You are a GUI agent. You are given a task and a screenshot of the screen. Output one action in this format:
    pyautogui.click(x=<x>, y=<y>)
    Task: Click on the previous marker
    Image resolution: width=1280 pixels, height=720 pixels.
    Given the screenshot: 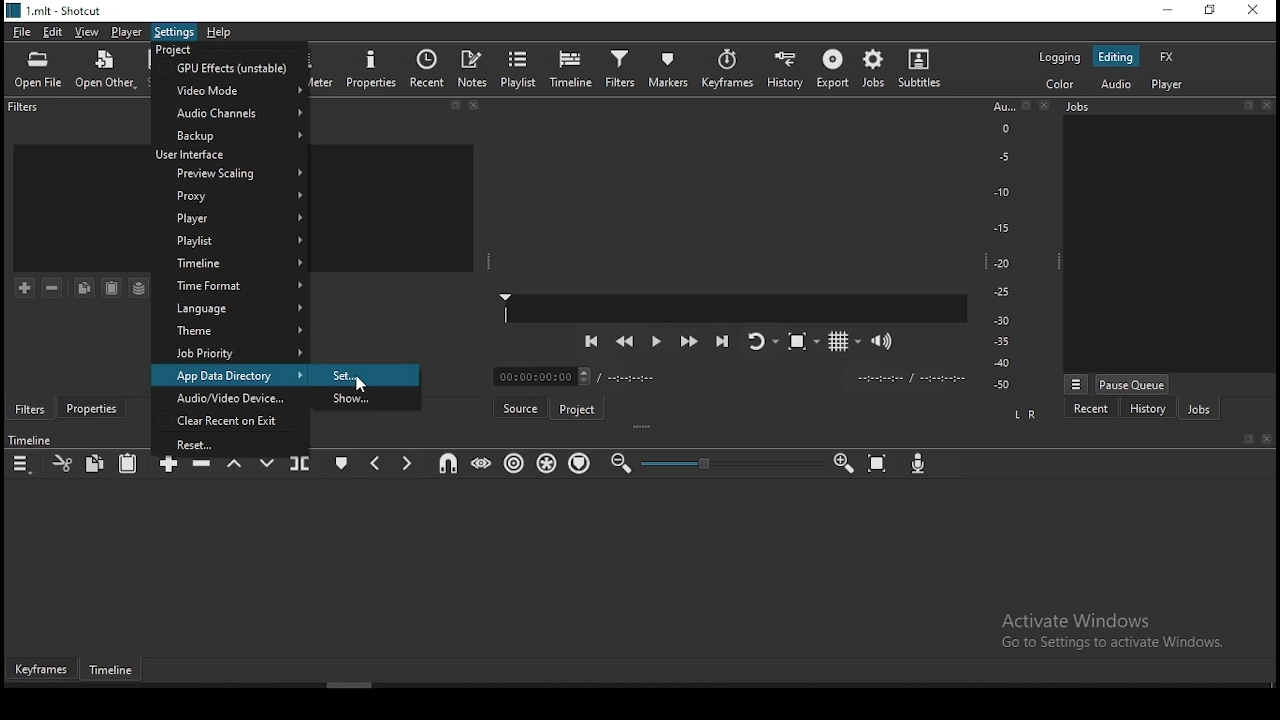 What is the action you would take?
    pyautogui.click(x=377, y=460)
    